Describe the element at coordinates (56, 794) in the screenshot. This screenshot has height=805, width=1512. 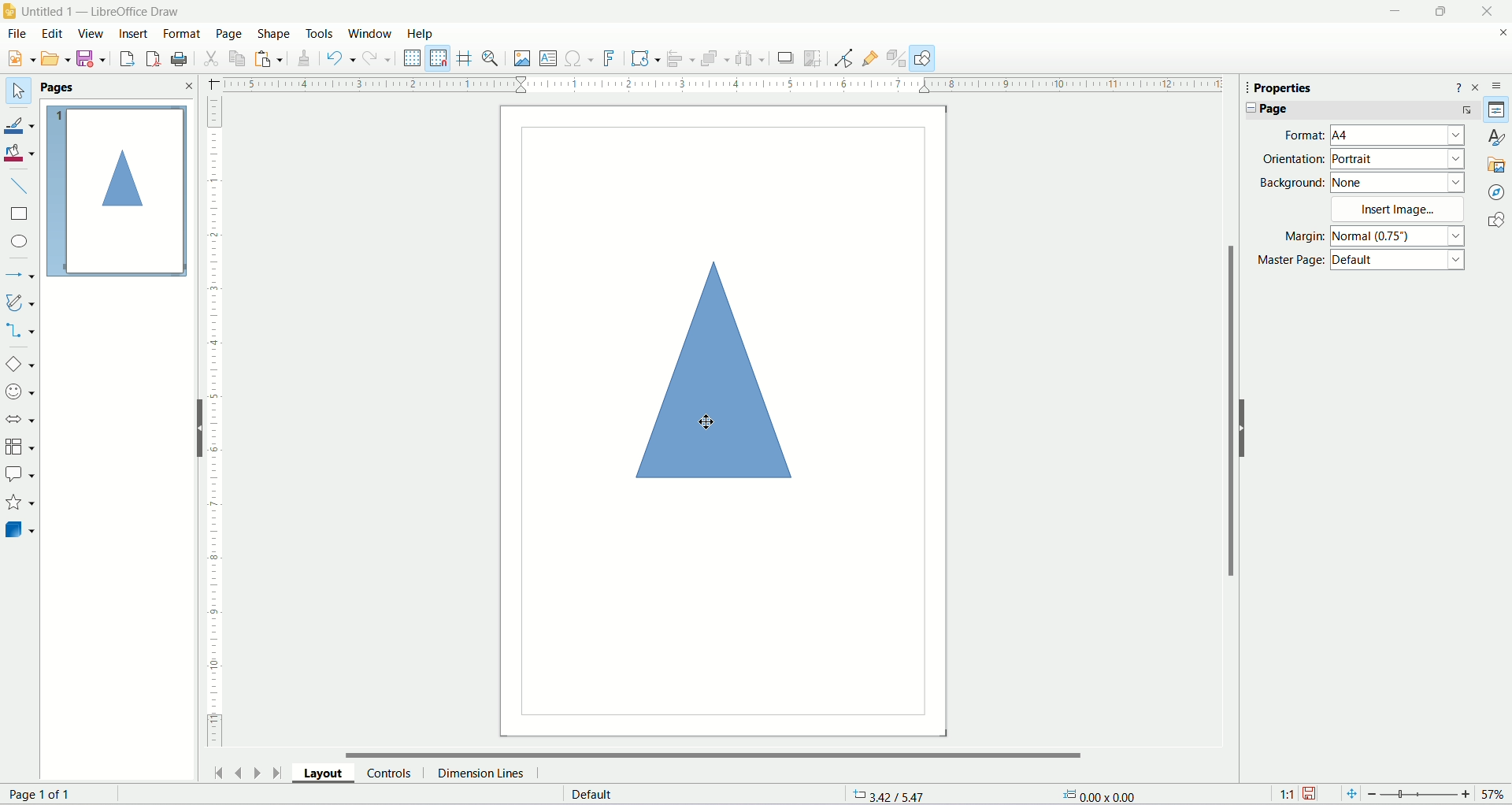
I see `Text` at that location.